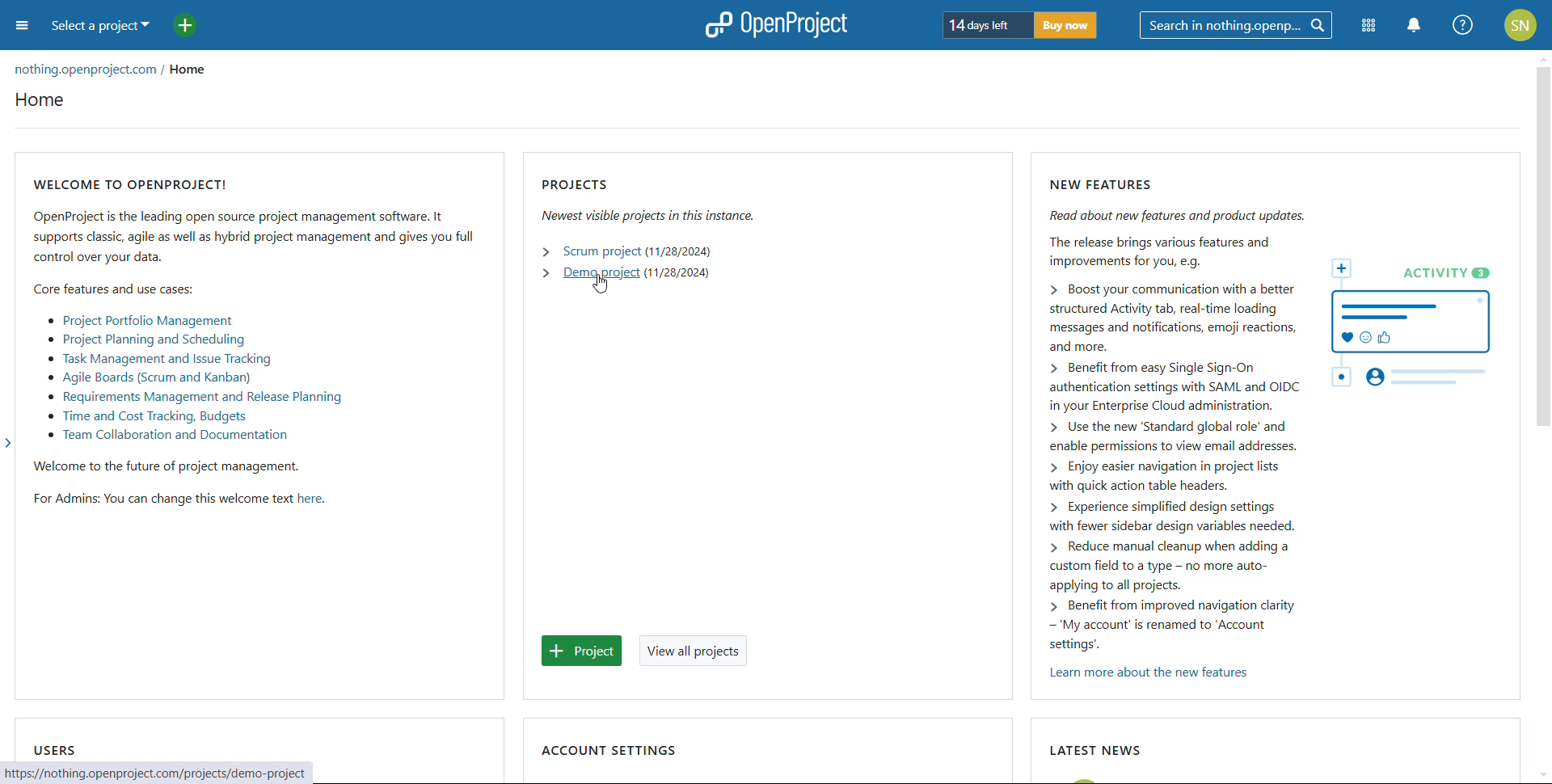 The height and width of the screenshot is (784, 1552). What do you see at coordinates (160, 360) in the screenshot?
I see `task management and issue tracking` at bounding box center [160, 360].